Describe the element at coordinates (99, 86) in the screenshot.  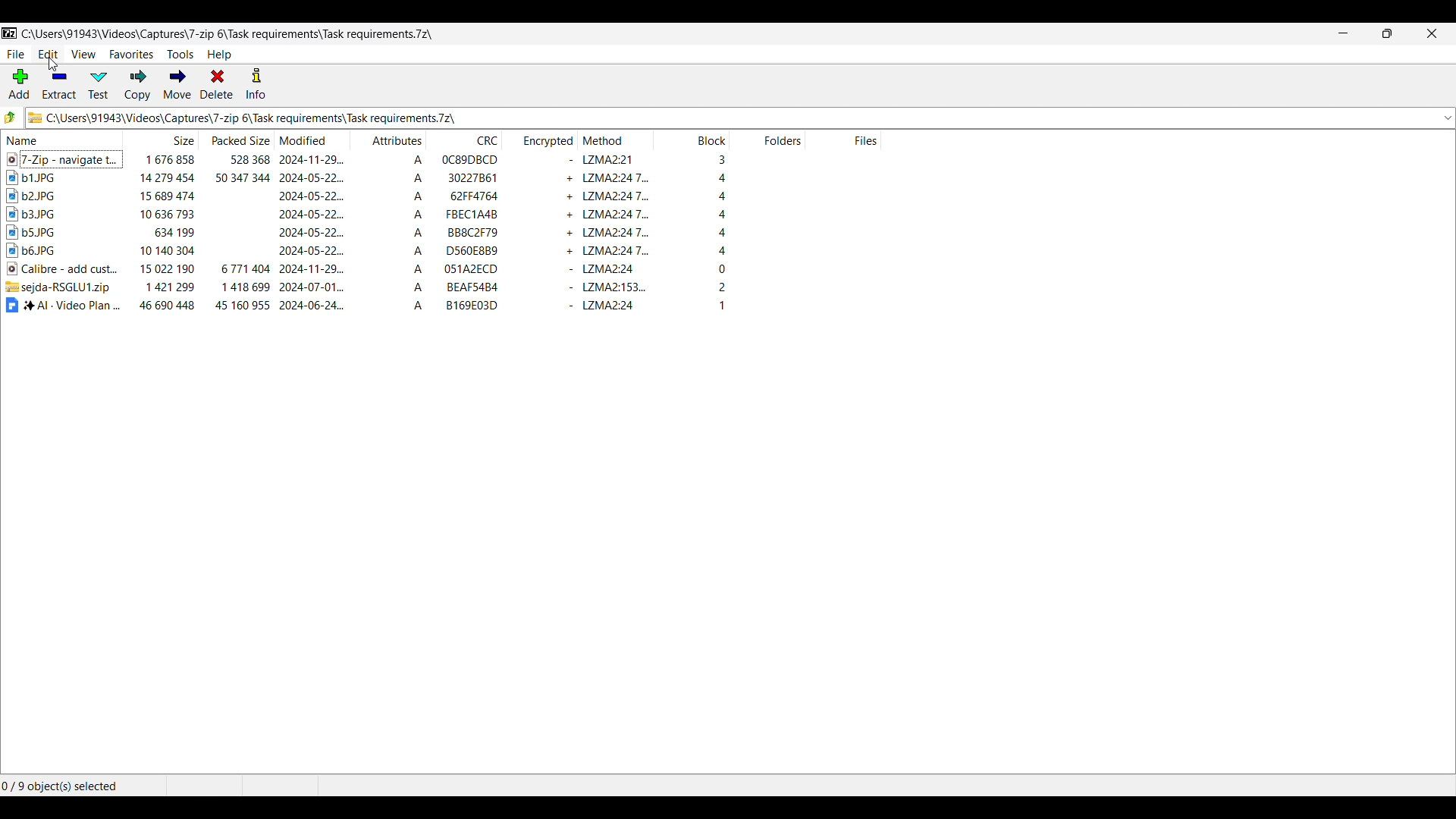
I see `Test` at that location.